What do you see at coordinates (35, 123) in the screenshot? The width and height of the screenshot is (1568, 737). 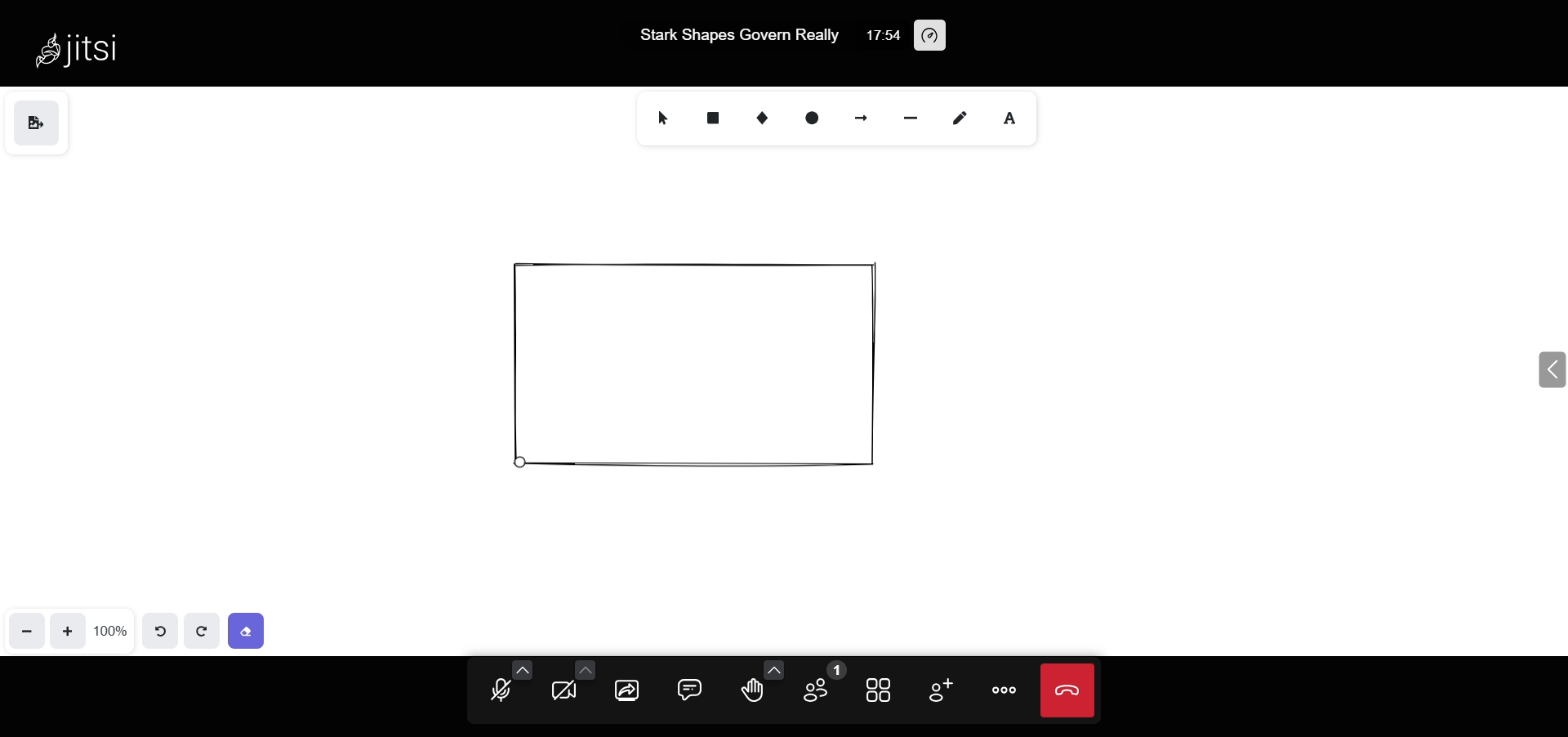 I see `save as image` at bounding box center [35, 123].